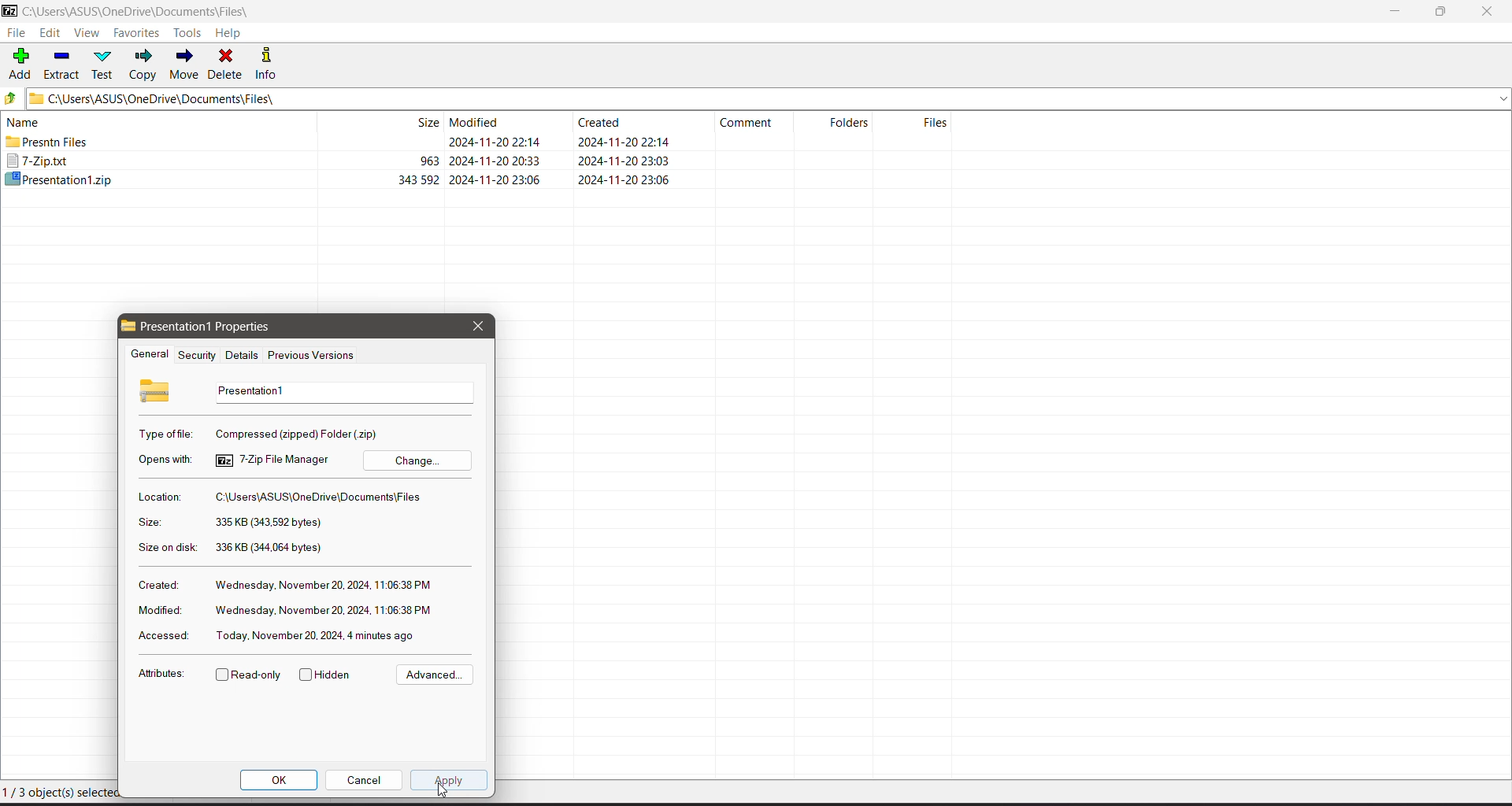 This screenshot has height=806, width=1512. I want to click on Created, so click(157, 584).